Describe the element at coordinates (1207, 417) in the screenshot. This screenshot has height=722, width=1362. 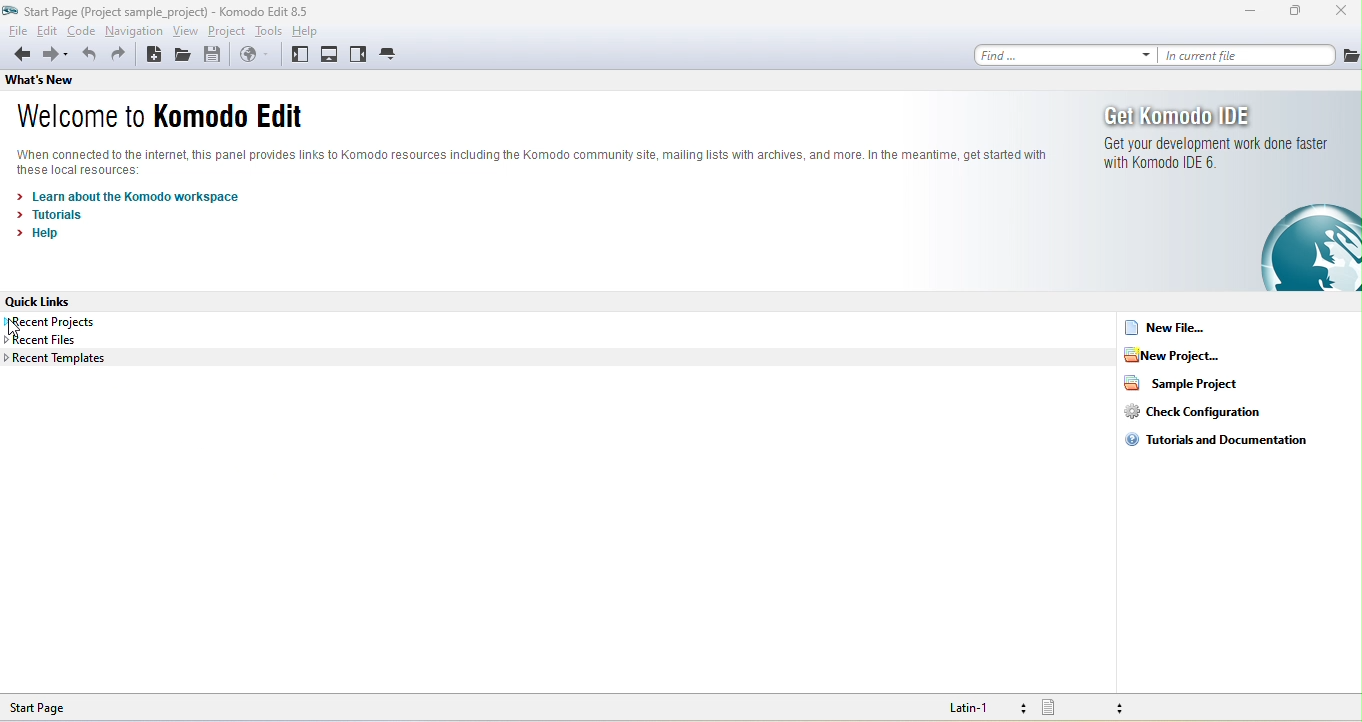
I see `check configuration` at that location.